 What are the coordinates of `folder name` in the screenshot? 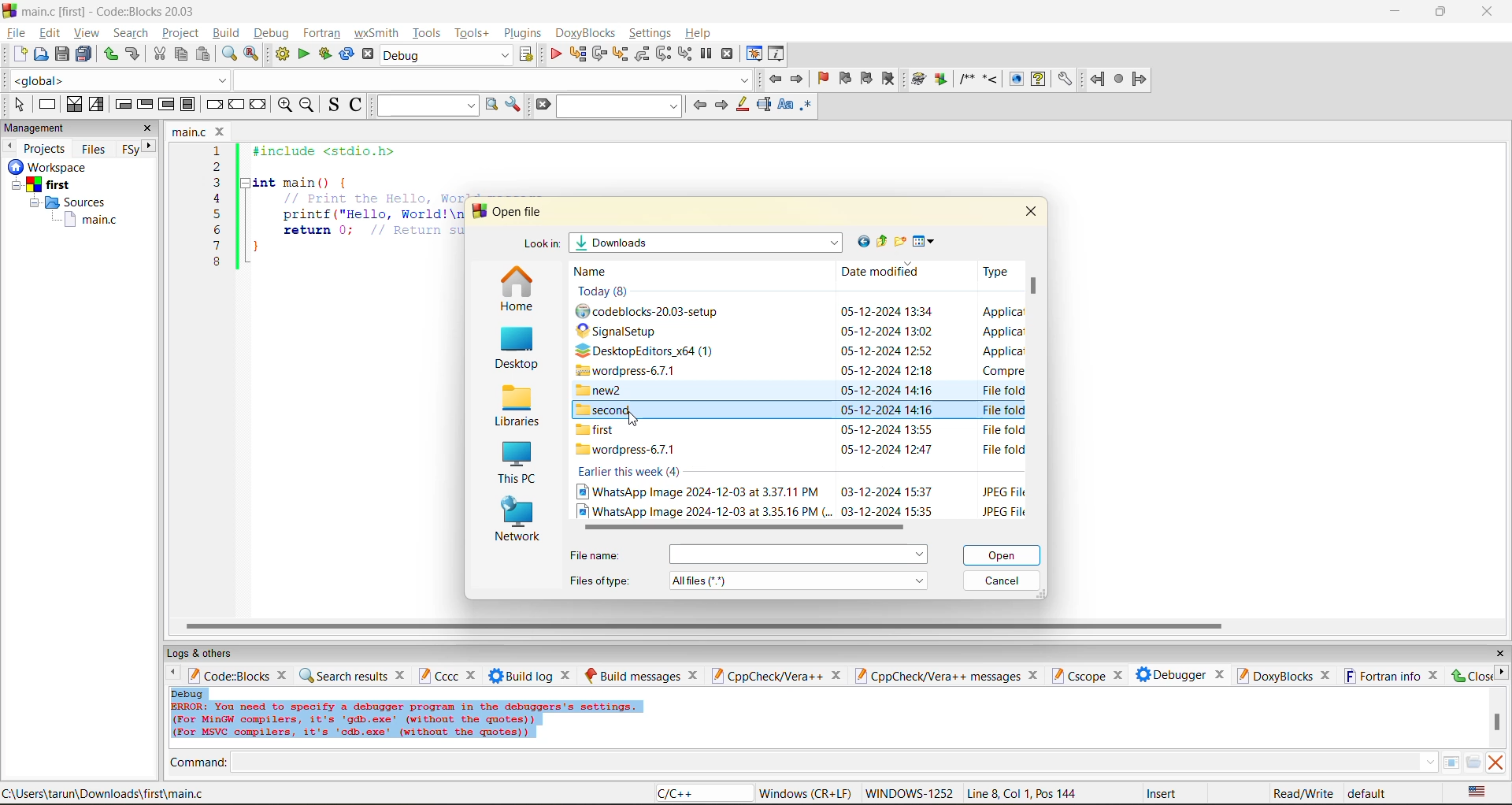 It's located at (708, 243).